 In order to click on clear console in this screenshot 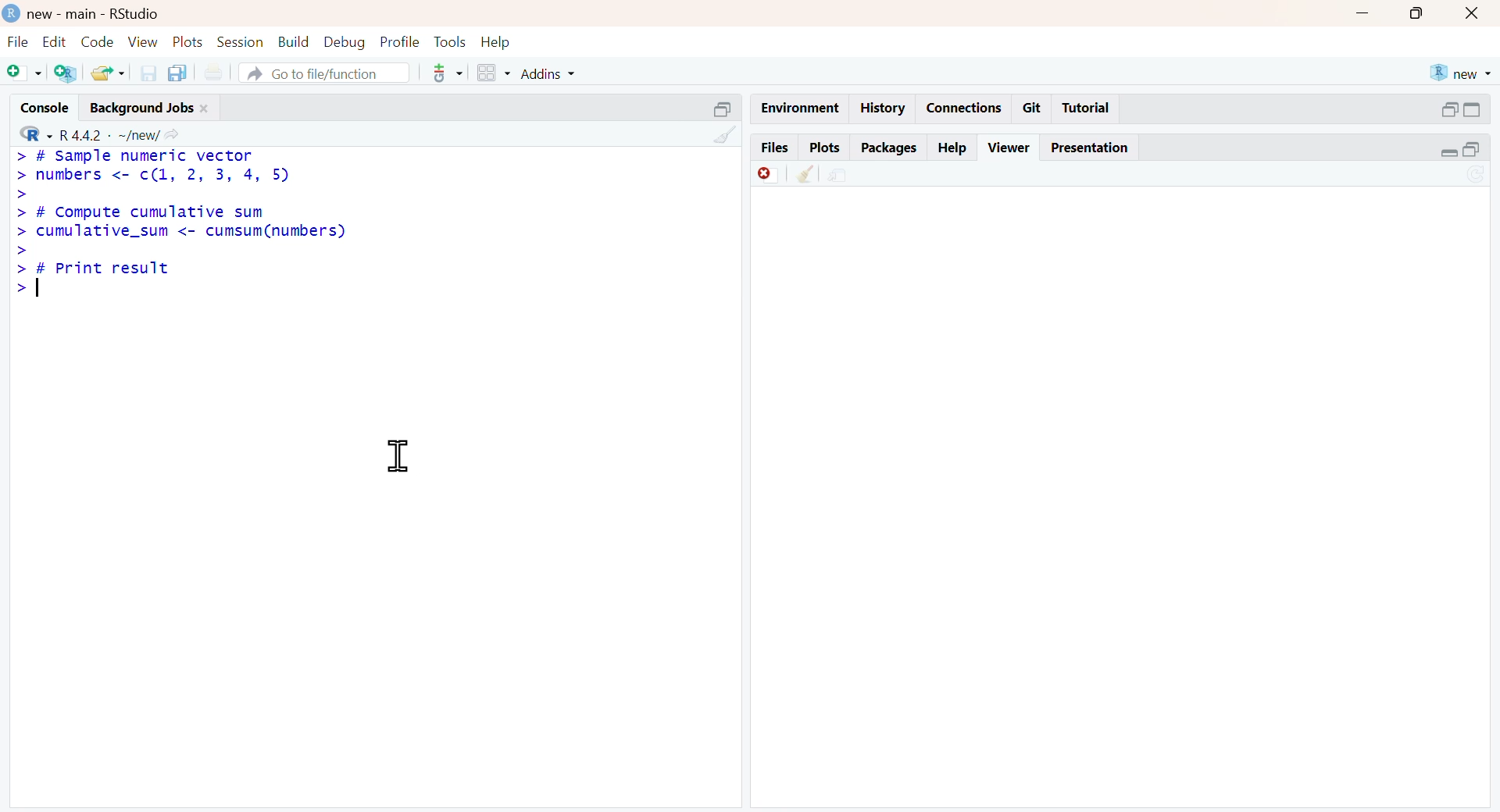, I will do `click(726, 134)`.